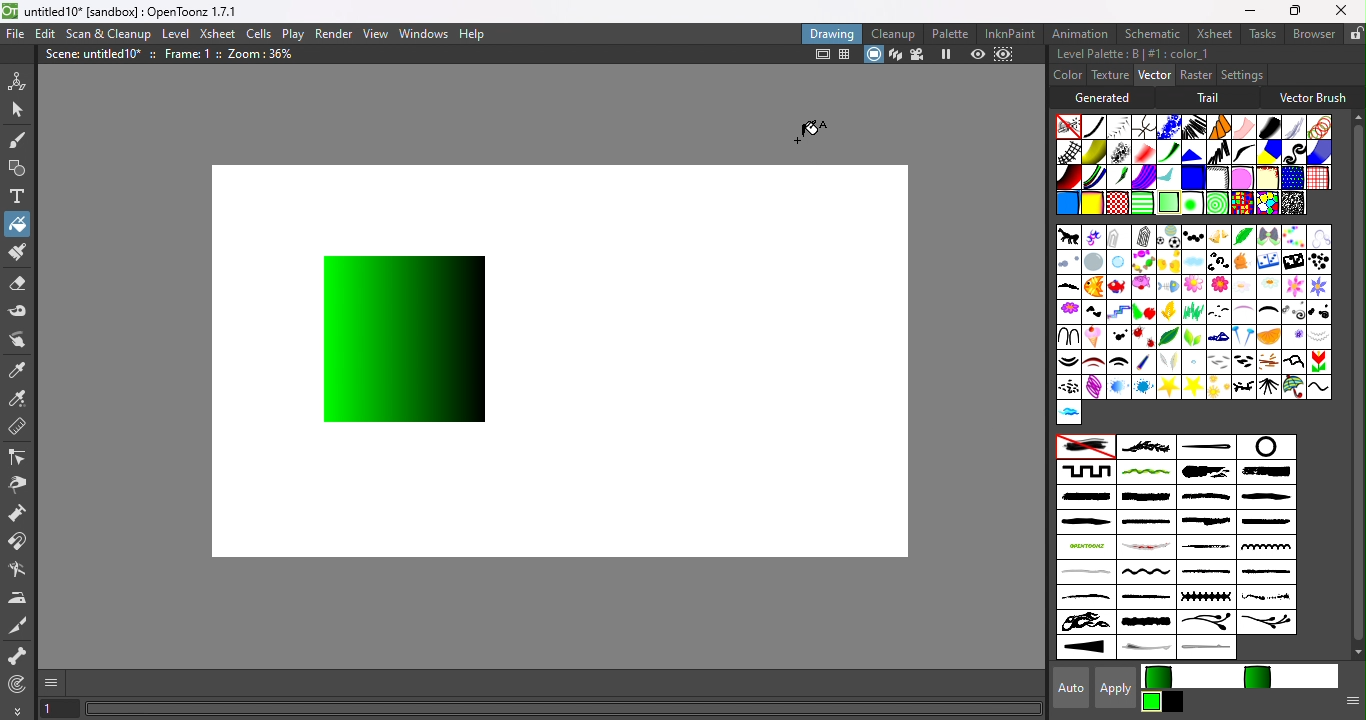  I want to click on Stained glass, so click(1241, 202).